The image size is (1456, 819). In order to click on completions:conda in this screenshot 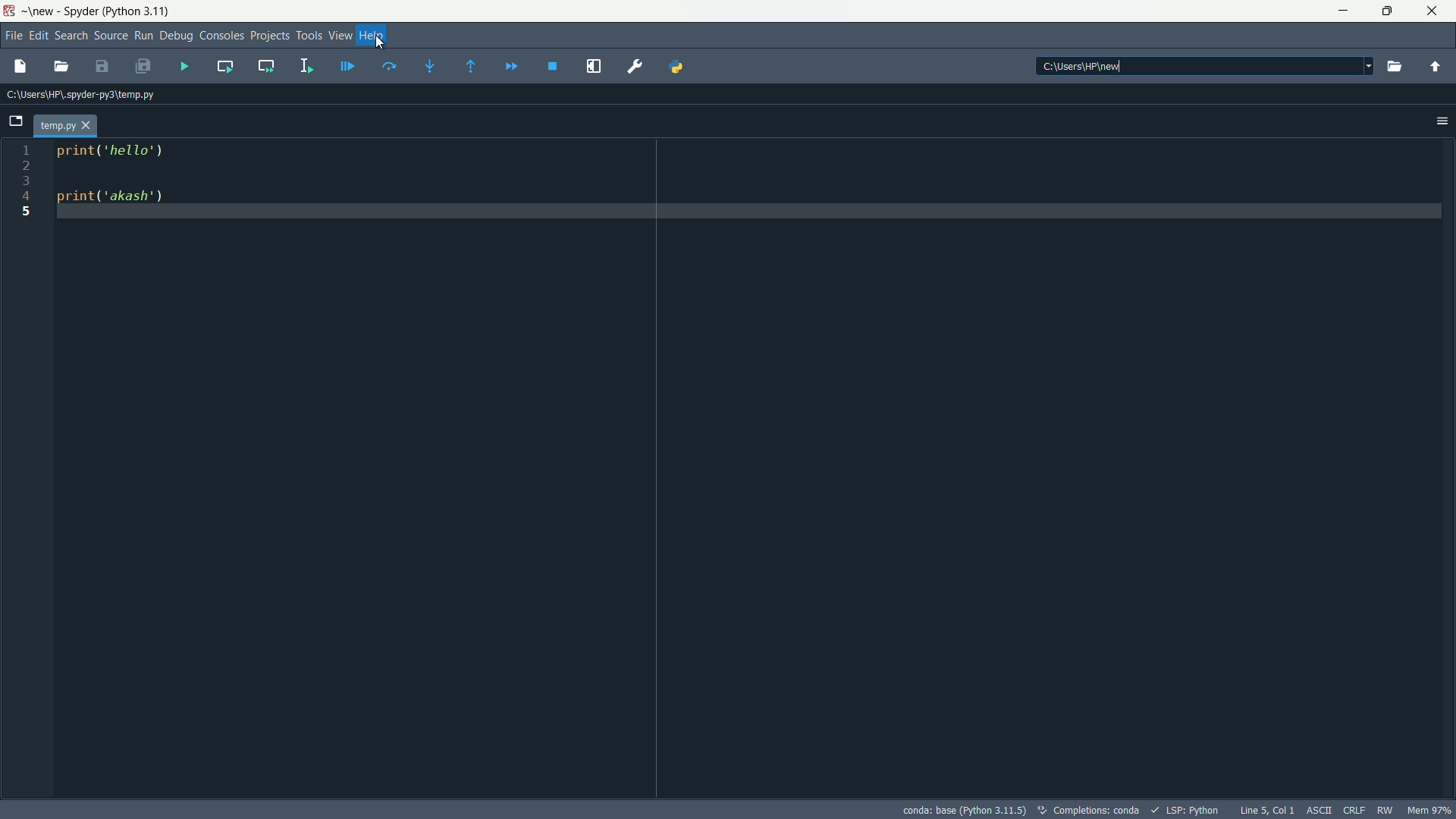, I will do `click(1090, 810)`.